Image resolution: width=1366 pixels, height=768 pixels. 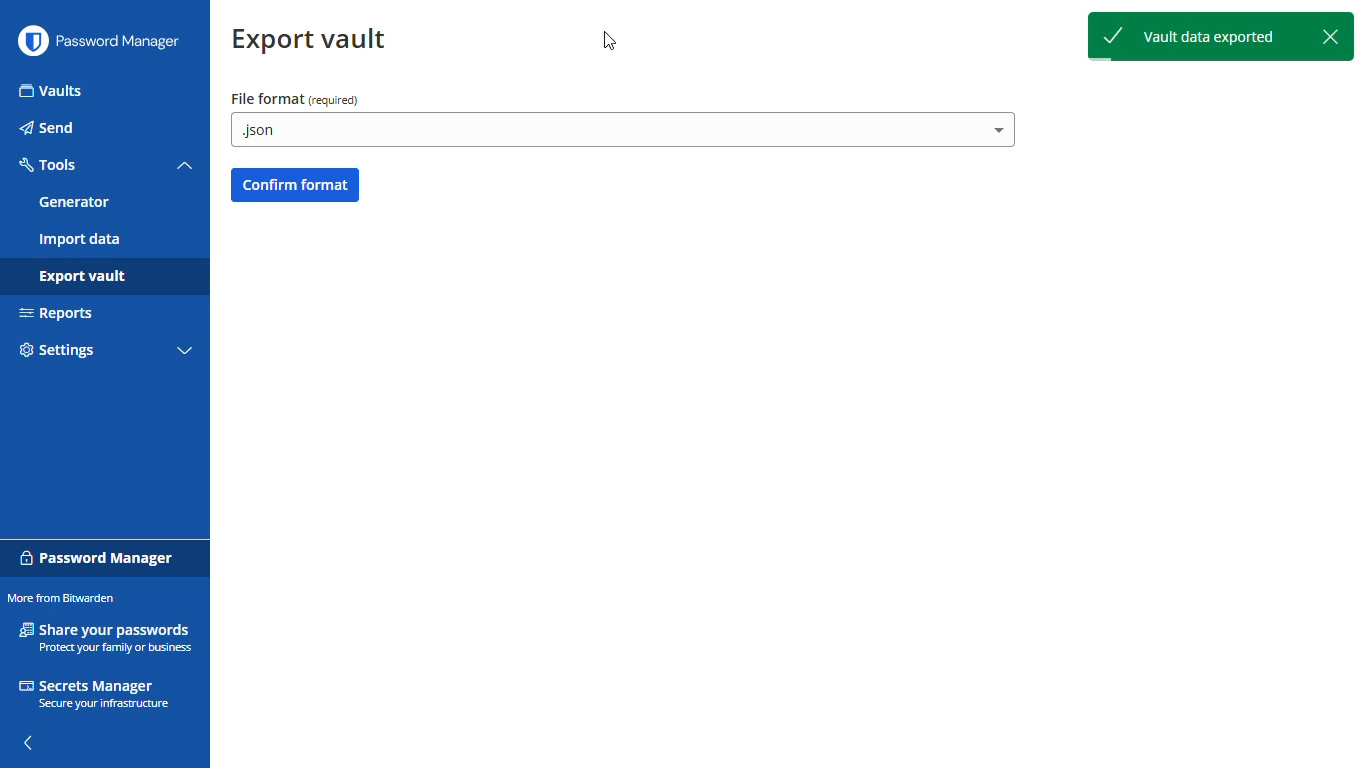 I want to click on logo, so click(x=32, y=41).